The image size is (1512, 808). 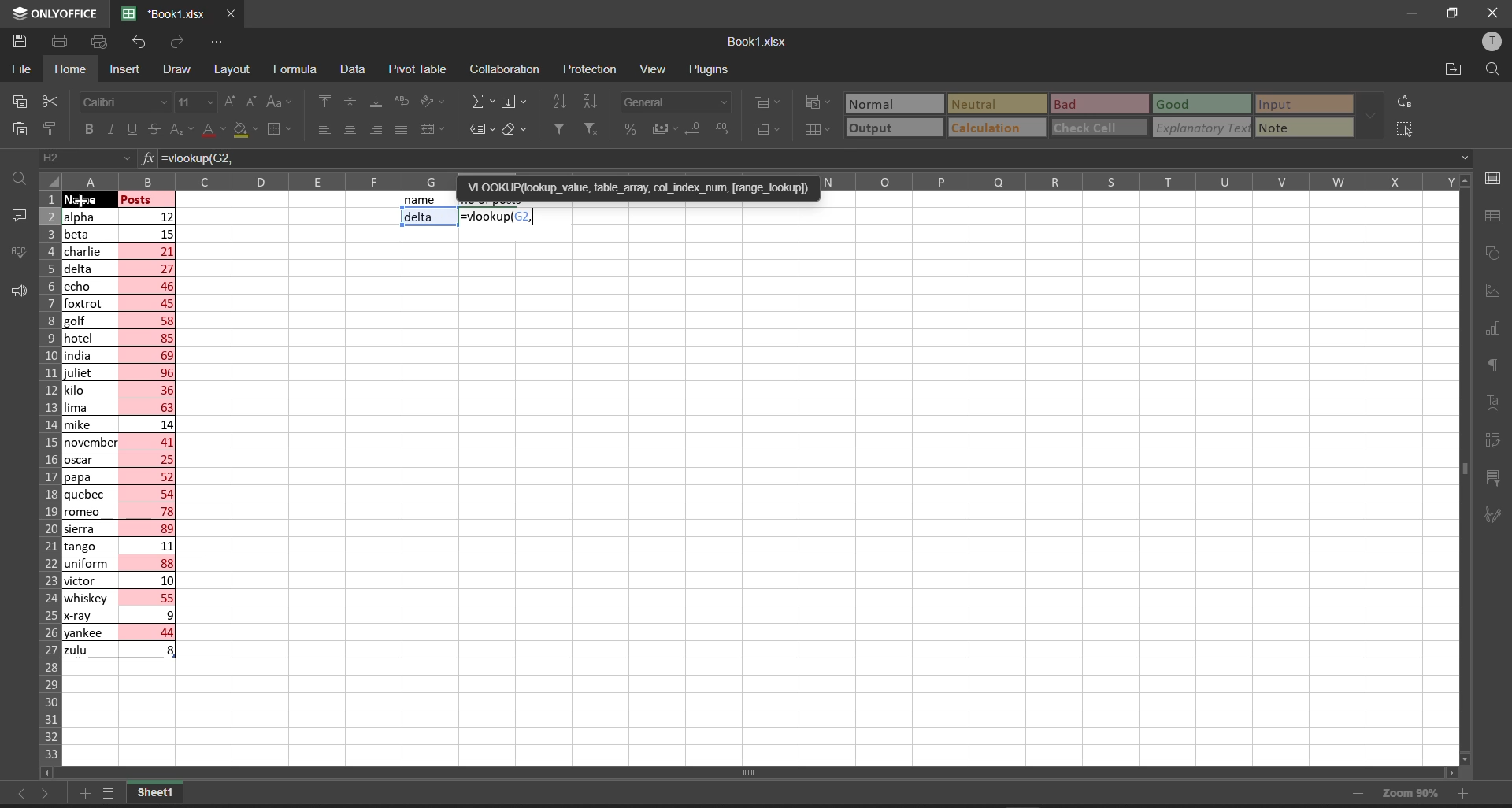 I want to click on delete cells, so click(x=765, y=128).